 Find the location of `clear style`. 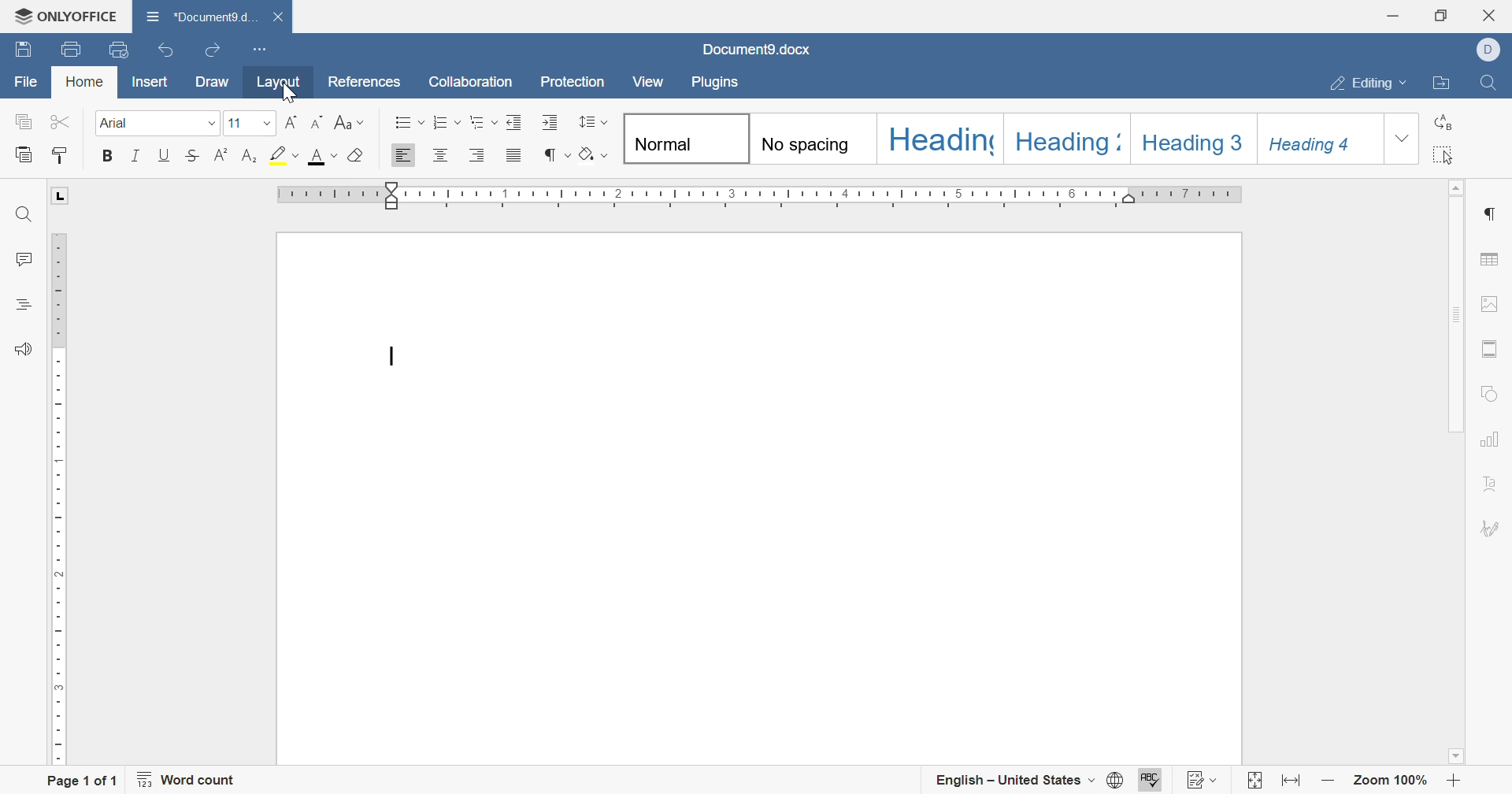

clear style is located at coordinates (357, 155).